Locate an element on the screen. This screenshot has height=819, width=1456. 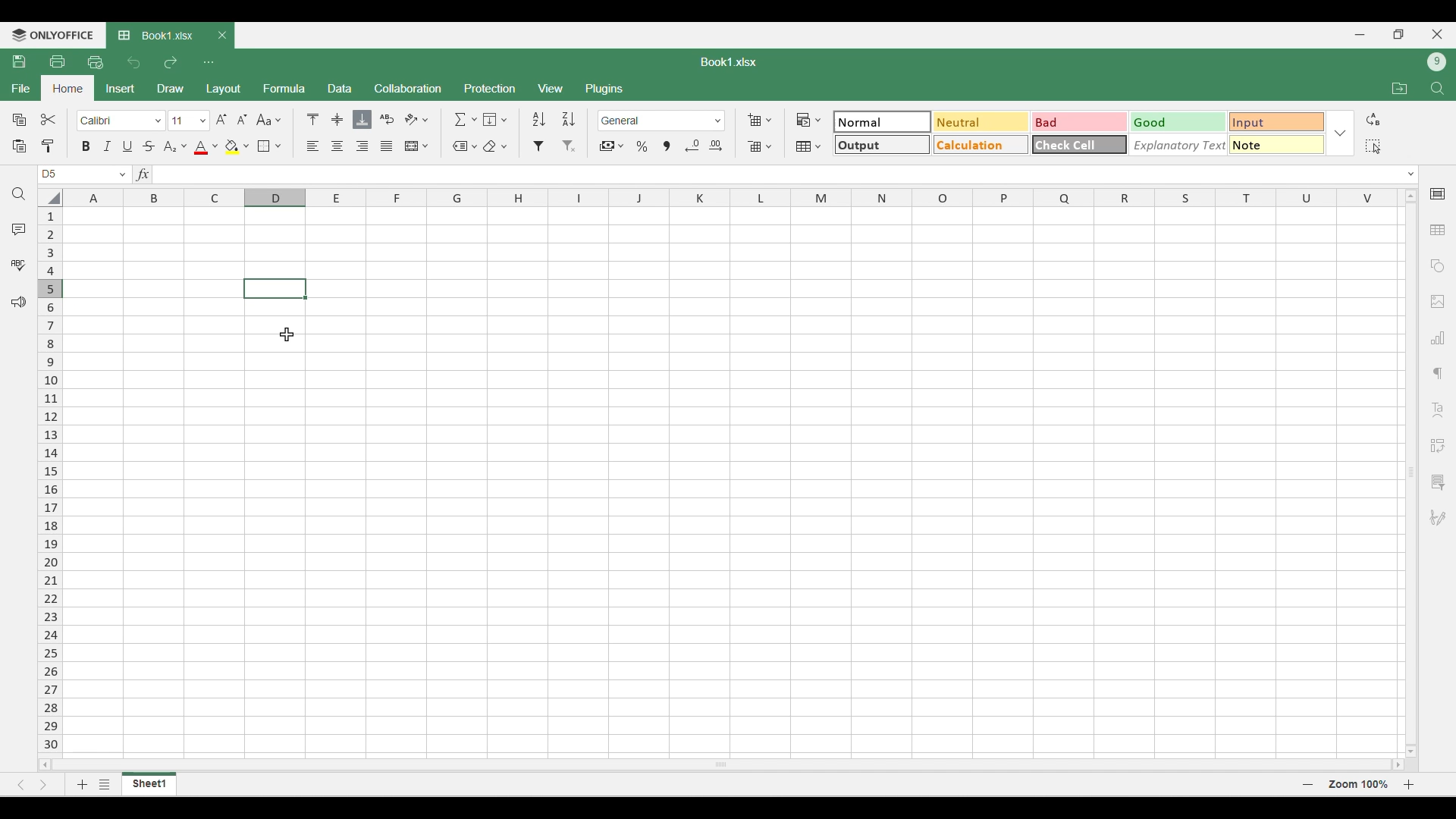
Add sheets is located at coordinates (83, 784).